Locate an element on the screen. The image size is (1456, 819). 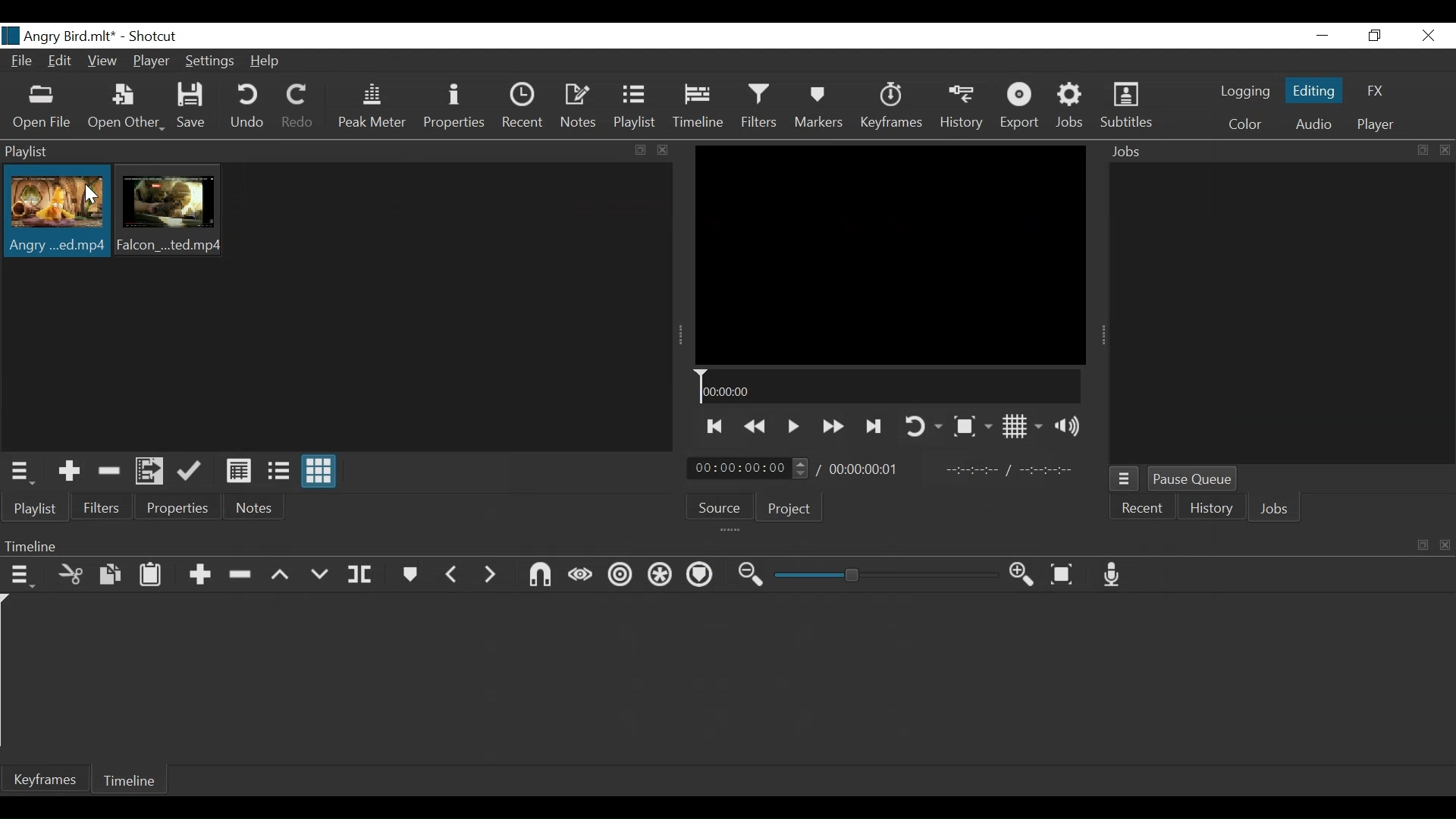
Clip is located at coordinates (172, 212).